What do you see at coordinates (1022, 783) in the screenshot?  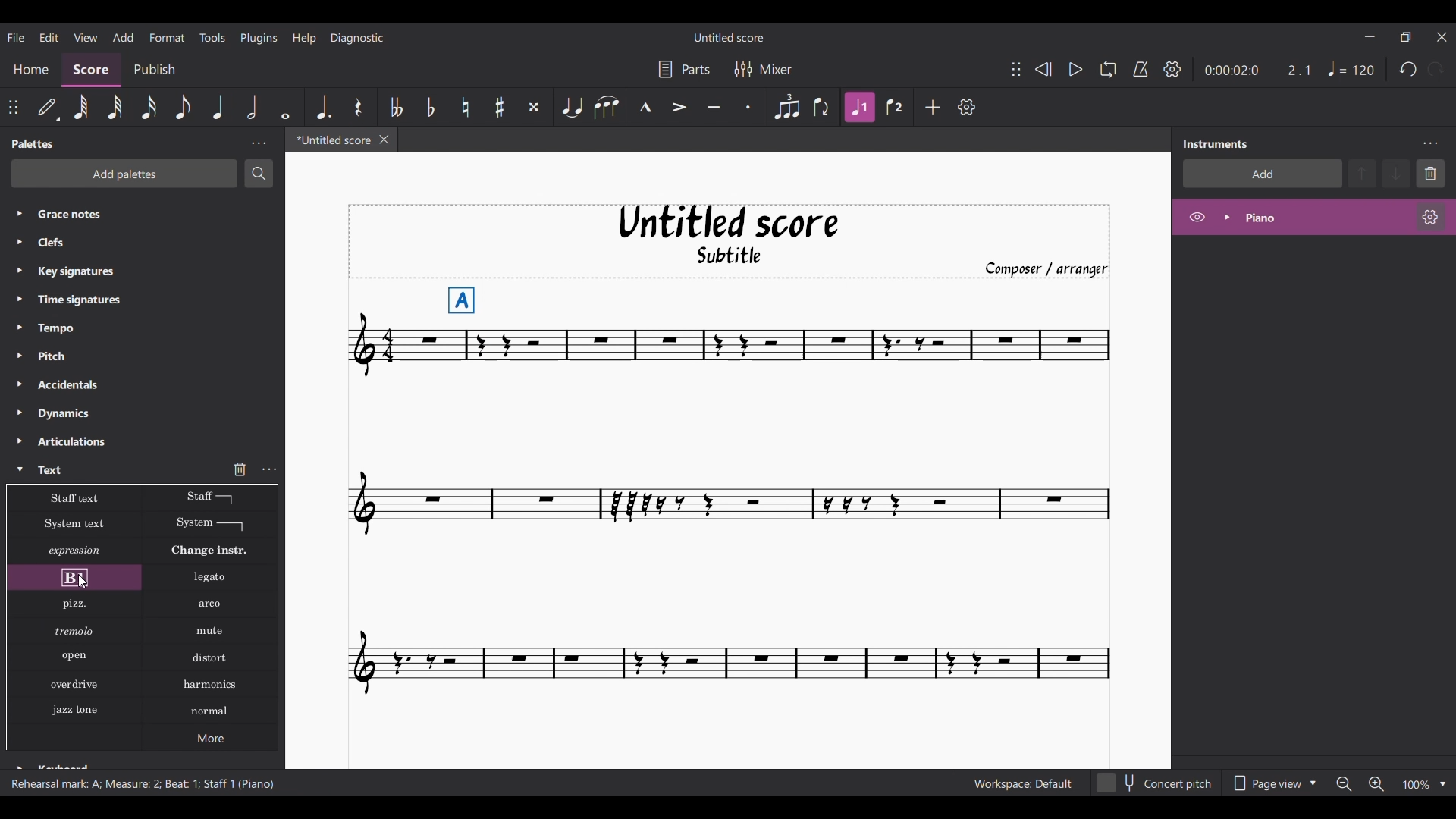 I see `Workspace: Default` at bounding box center [1022, 783].